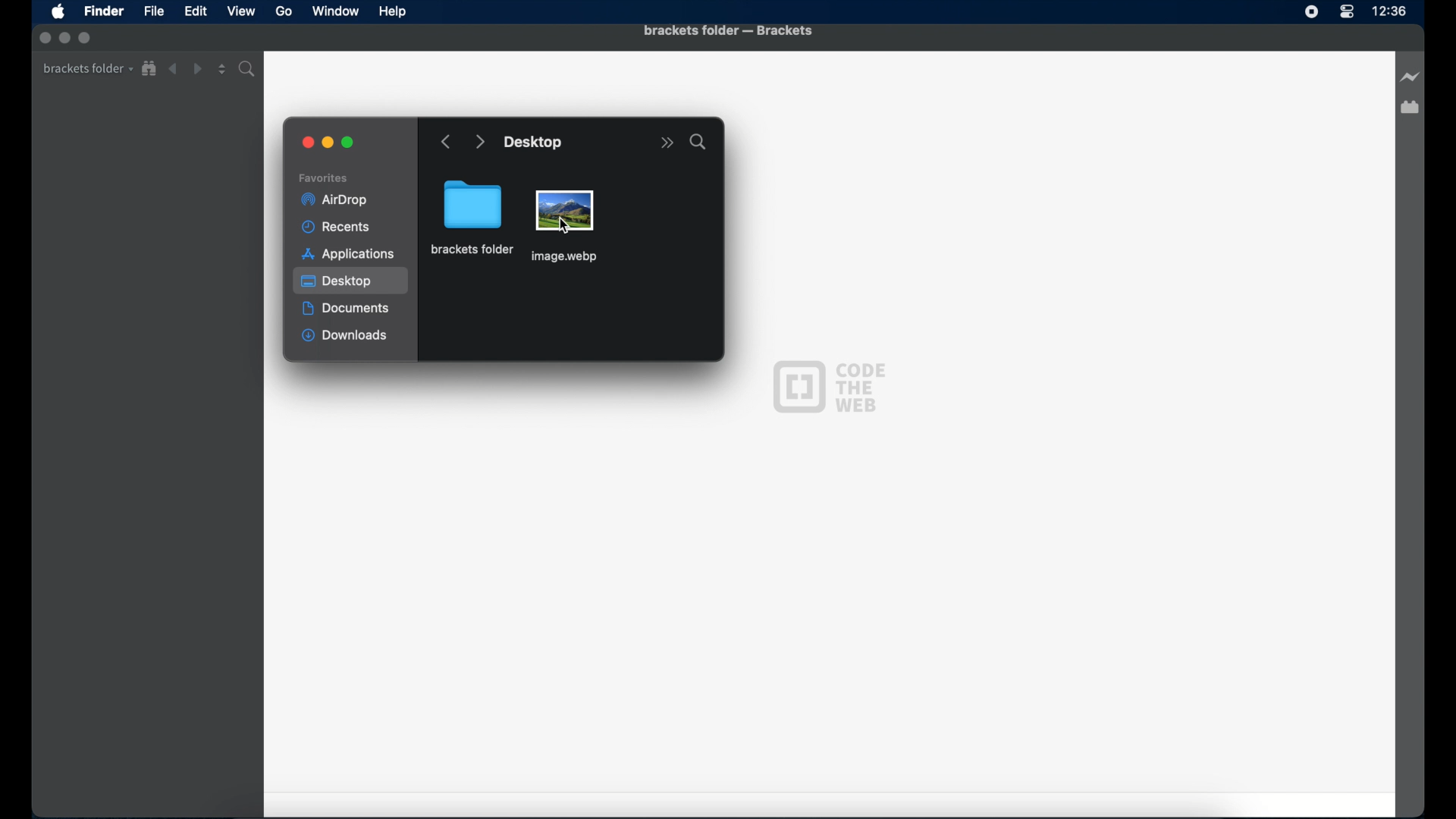 This screenshot has height=819, width=1456. I want to click on airdrop, so click(334, 200).